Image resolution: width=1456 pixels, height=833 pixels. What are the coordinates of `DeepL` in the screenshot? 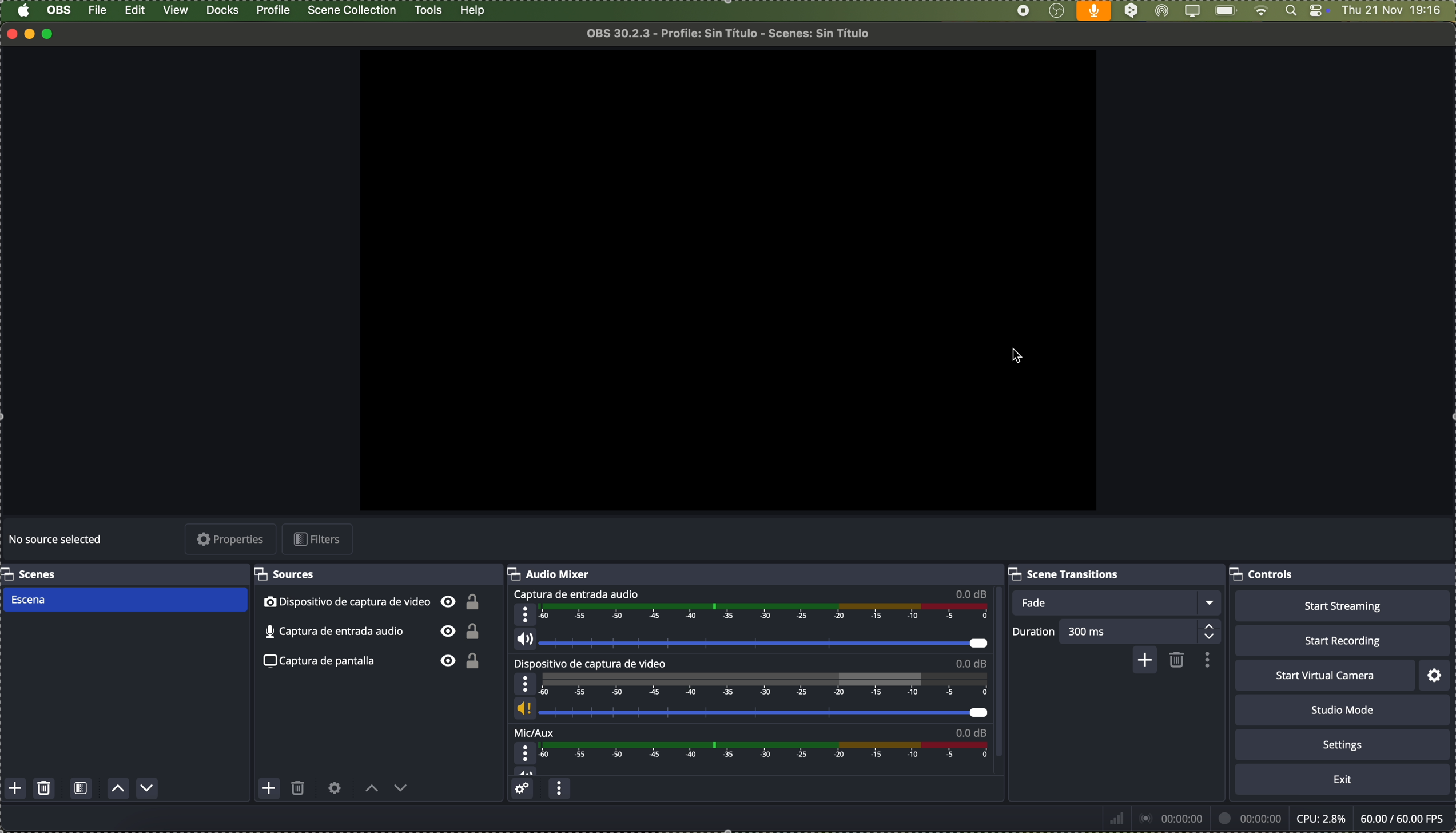 It's located at (1132, 11).